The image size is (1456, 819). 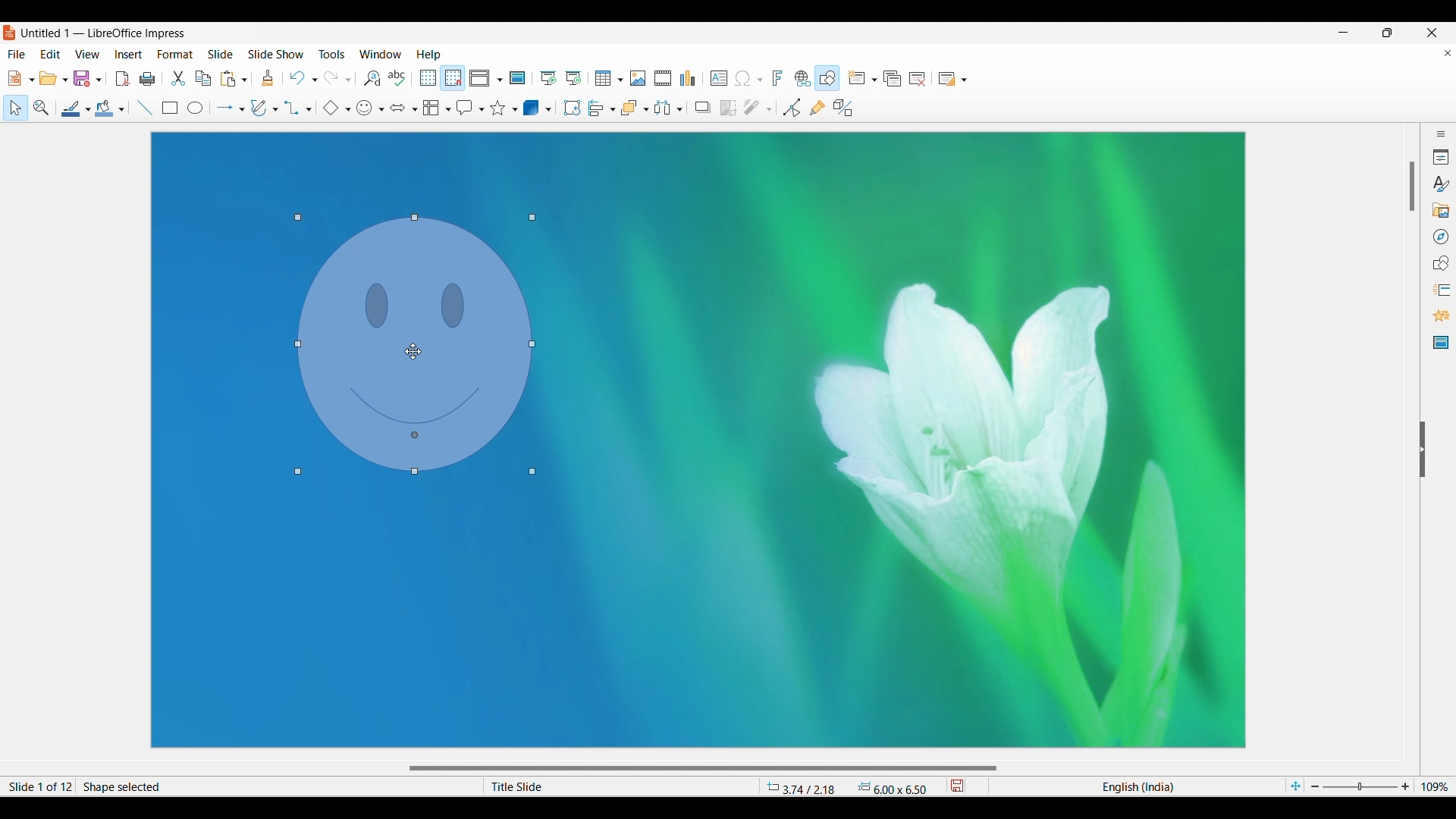 I want to click on Start from first slide, so click(x=548, y=78).